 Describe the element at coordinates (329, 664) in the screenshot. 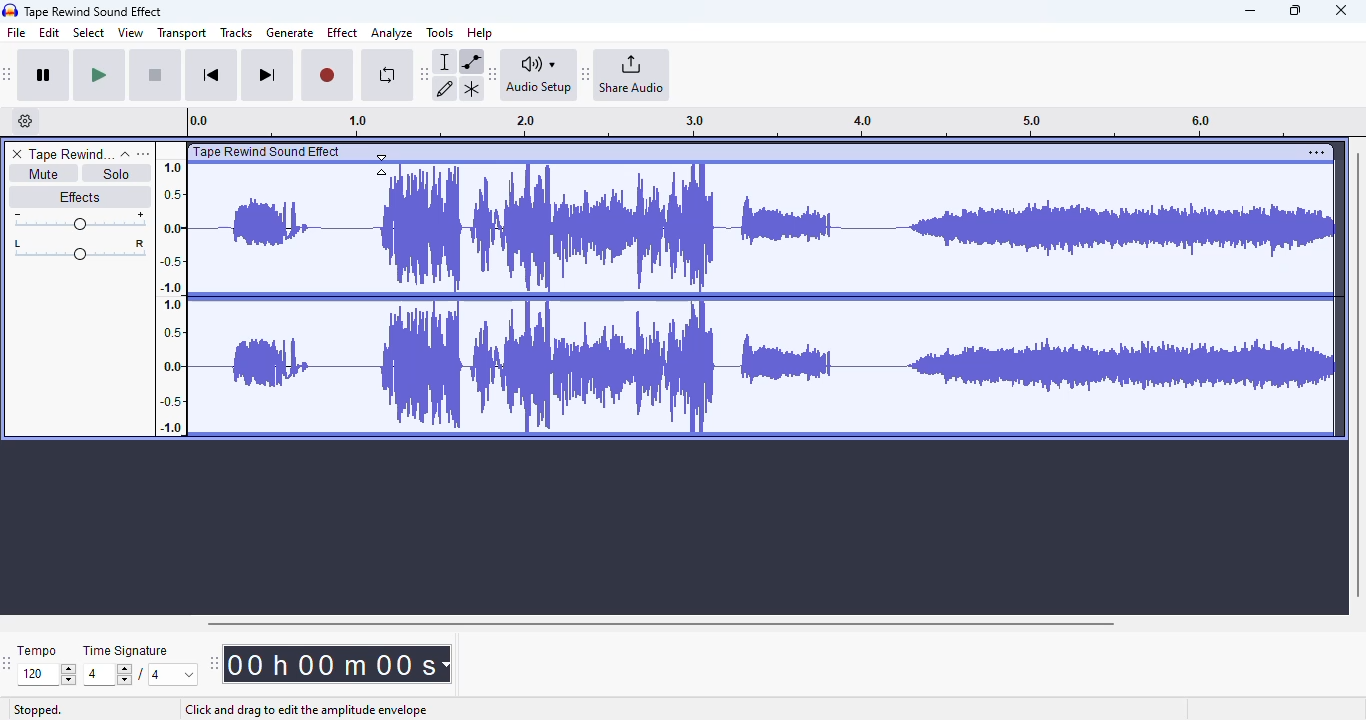

I see `Current track time` at that location.